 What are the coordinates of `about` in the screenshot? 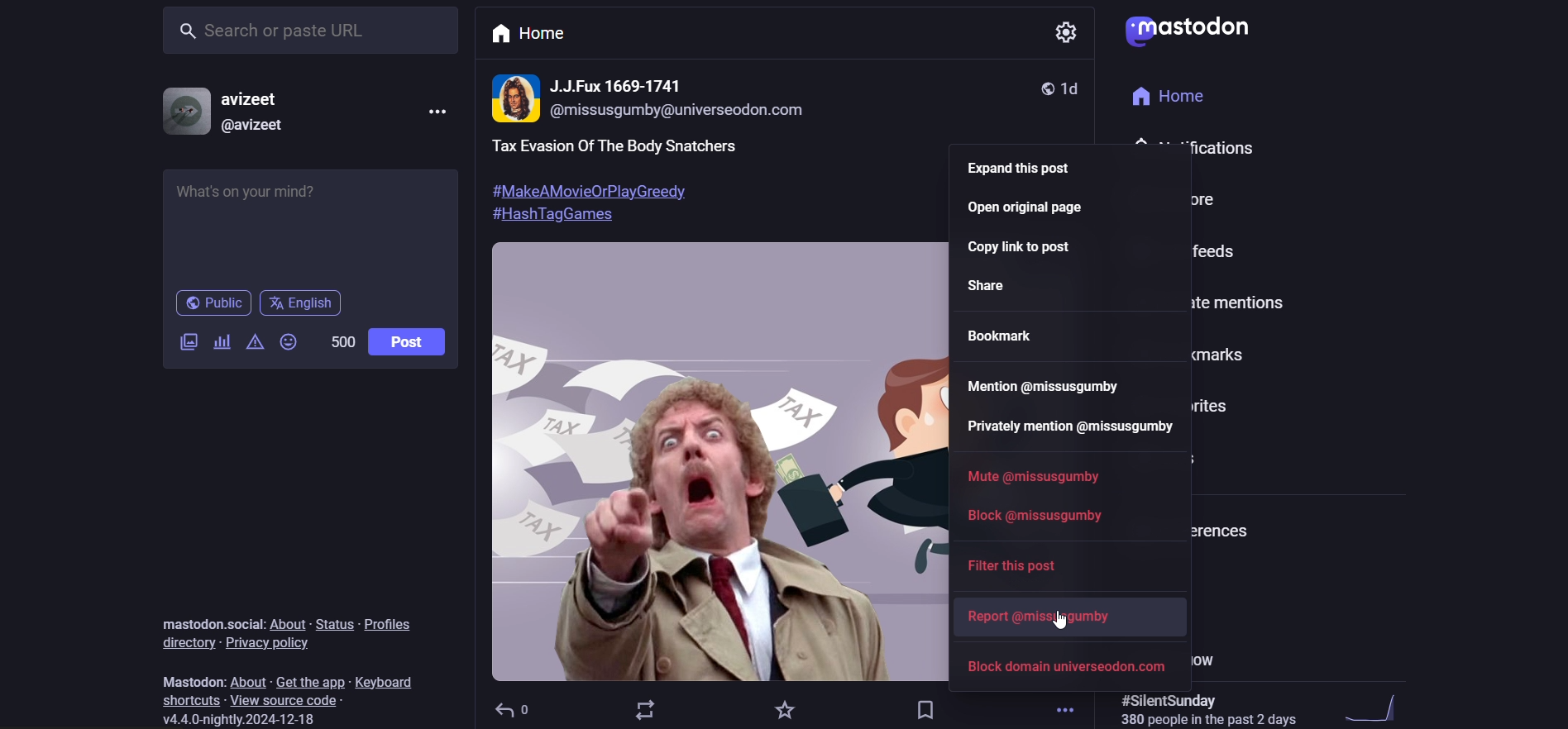 It's located at (253, 680).